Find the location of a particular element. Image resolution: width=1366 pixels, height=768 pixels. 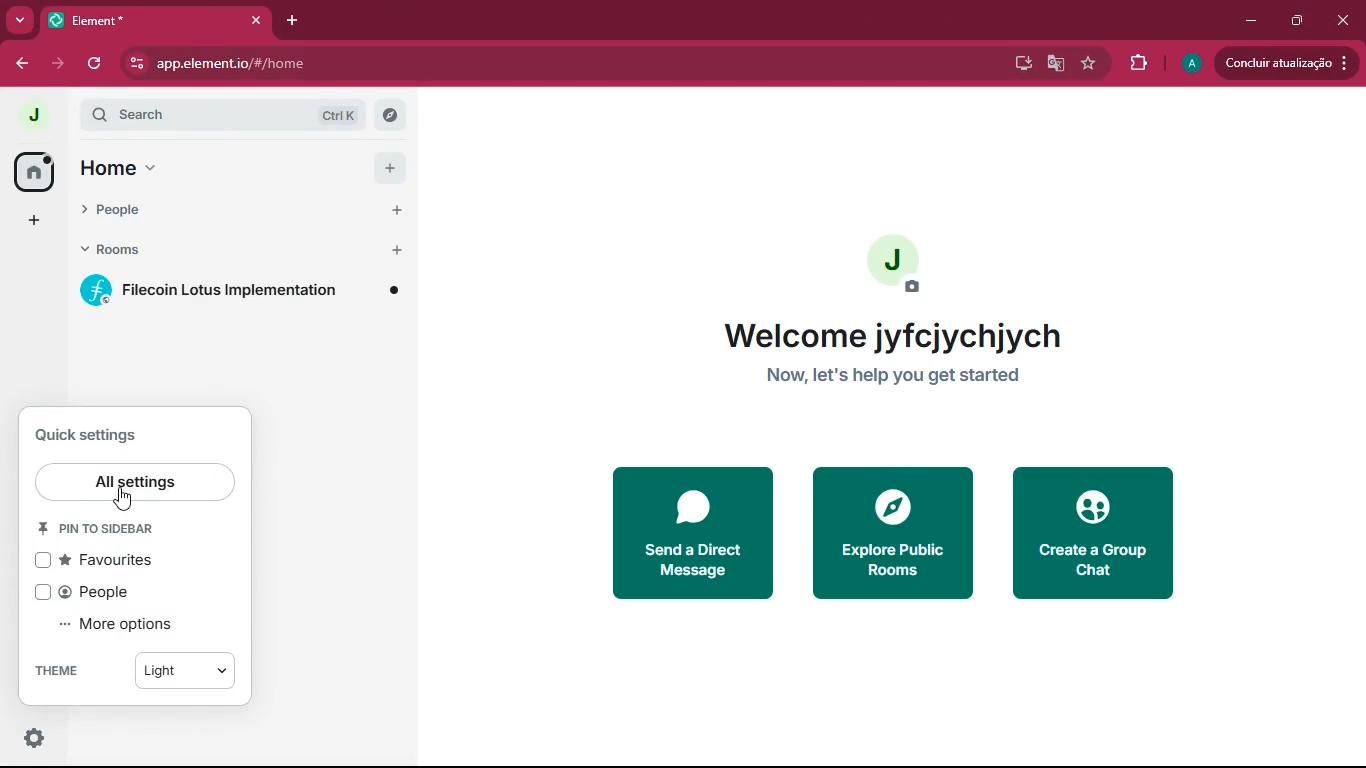

add is located at coordinates (38, 218).